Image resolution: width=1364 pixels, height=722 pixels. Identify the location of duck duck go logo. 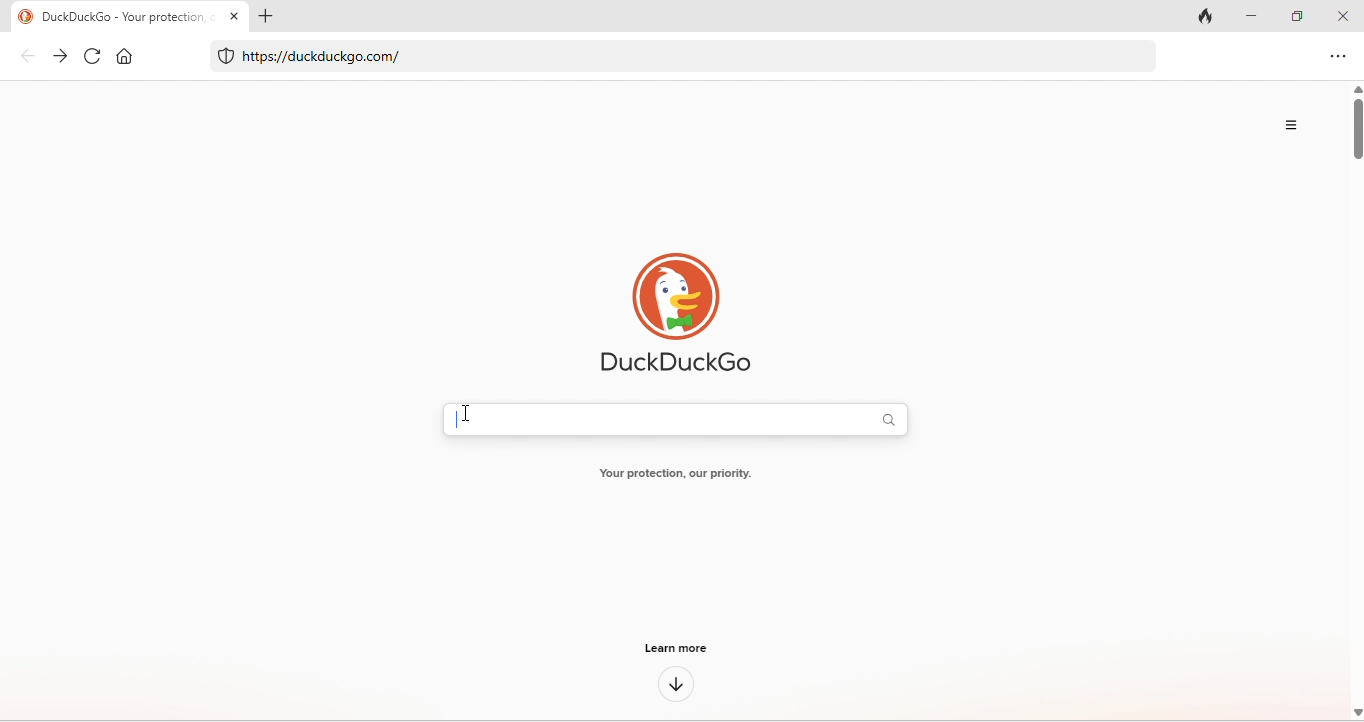
(679, 311).